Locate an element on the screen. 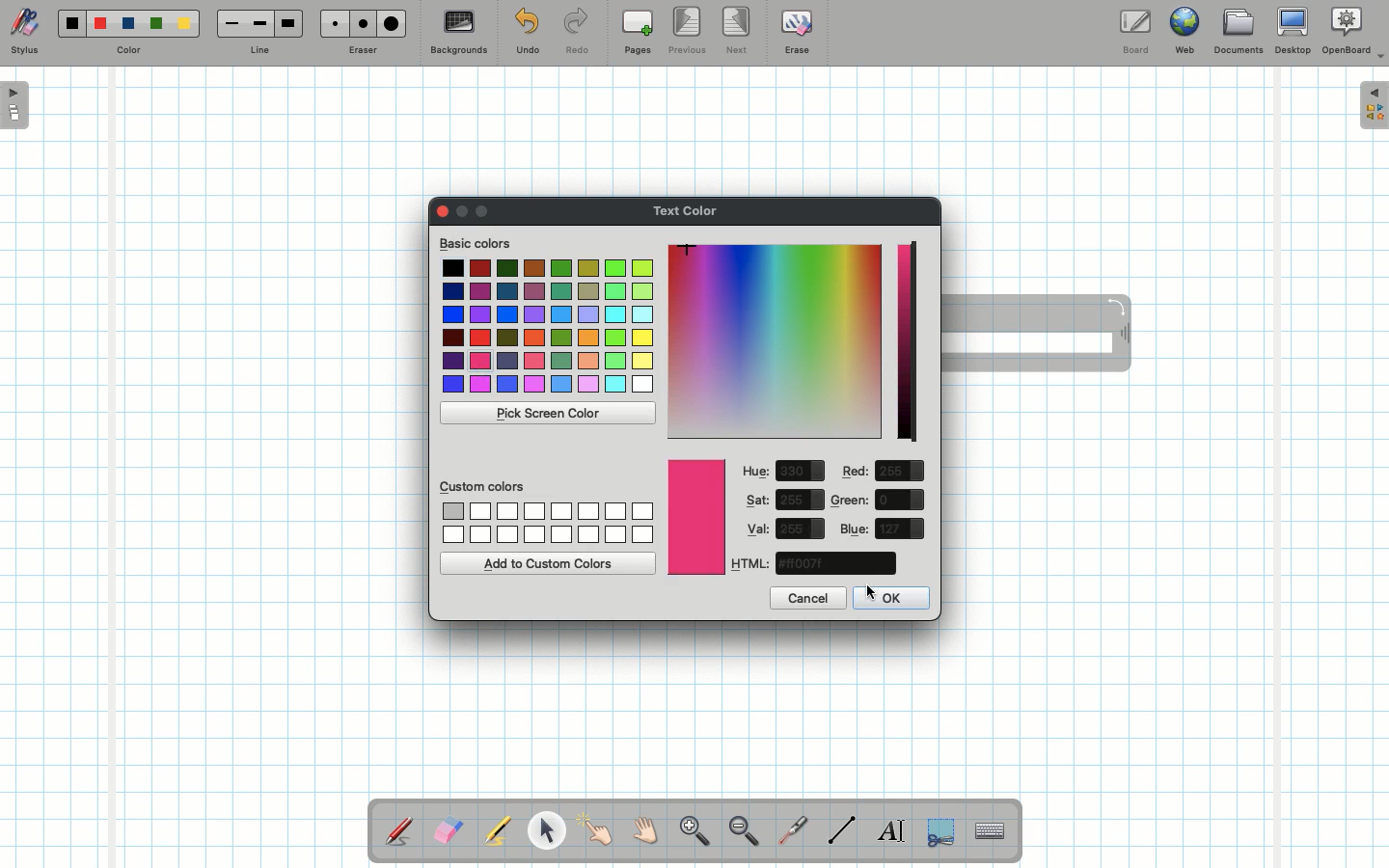  Grab is located at coordinates (646, 833).